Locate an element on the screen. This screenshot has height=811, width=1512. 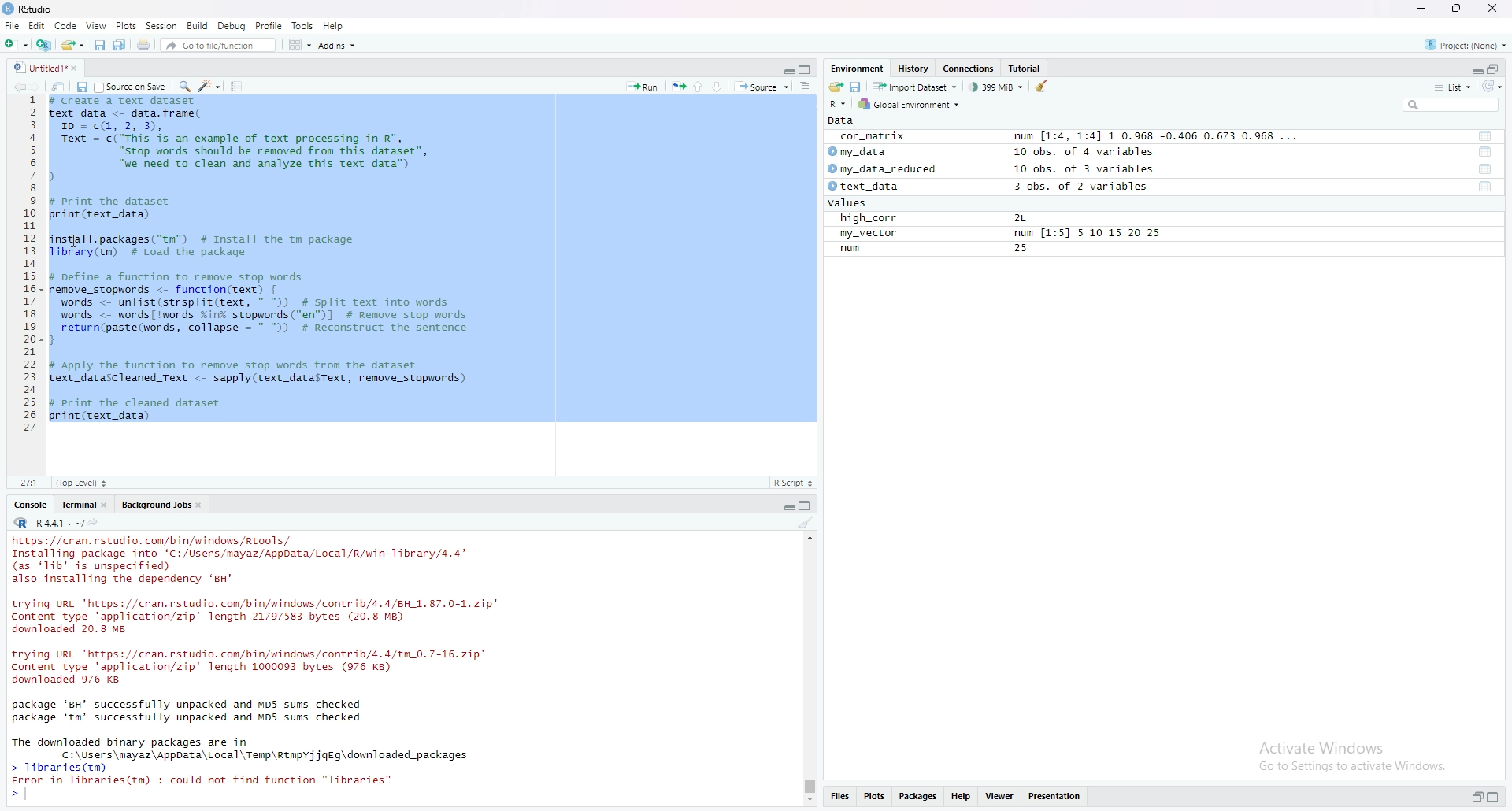
history is located at coordinates (914, 69).